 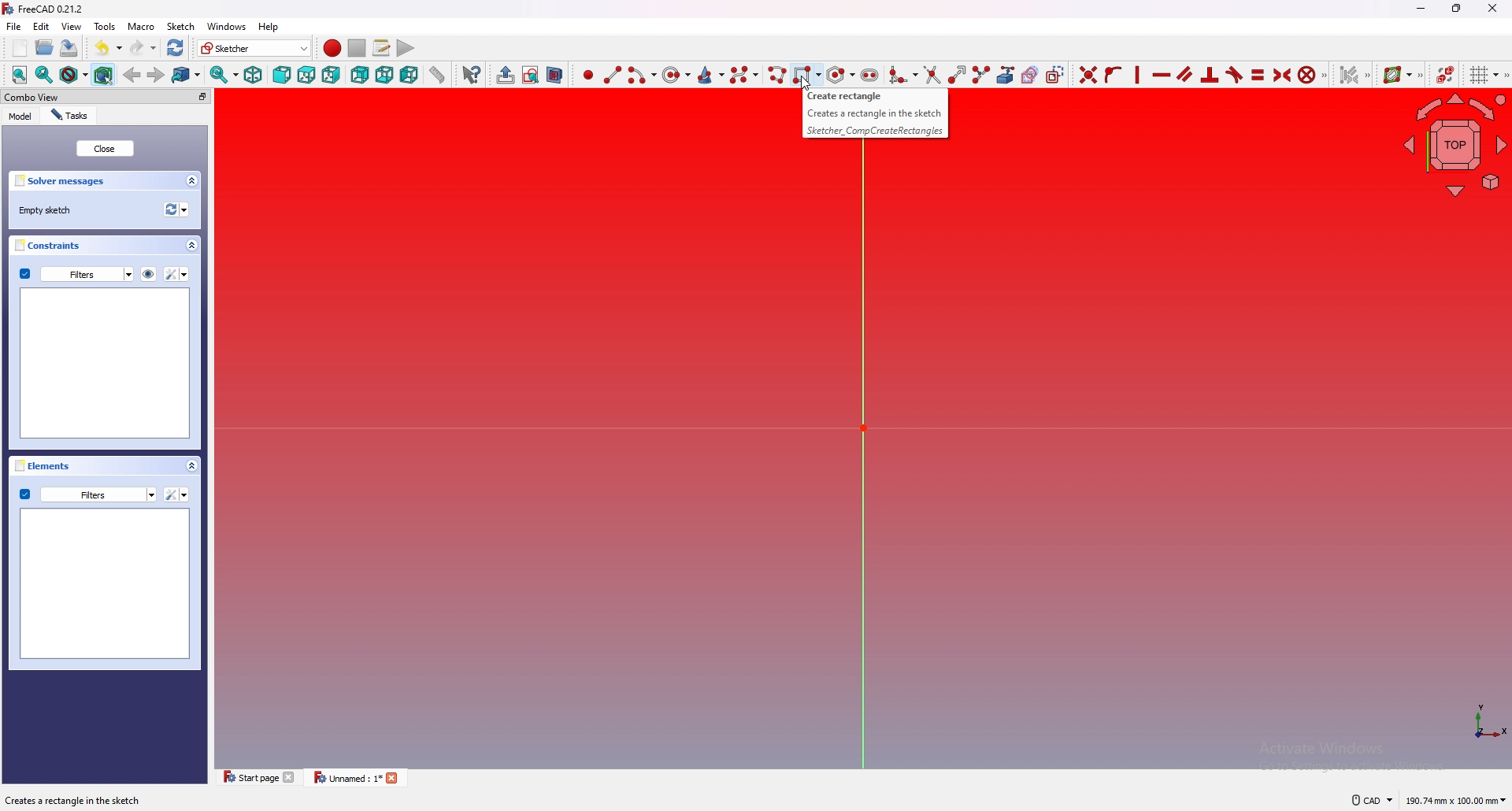 What do you see at coordinates (532, 75) in the screenshot?
I see `view sketch` at bounding box center [532, 75].